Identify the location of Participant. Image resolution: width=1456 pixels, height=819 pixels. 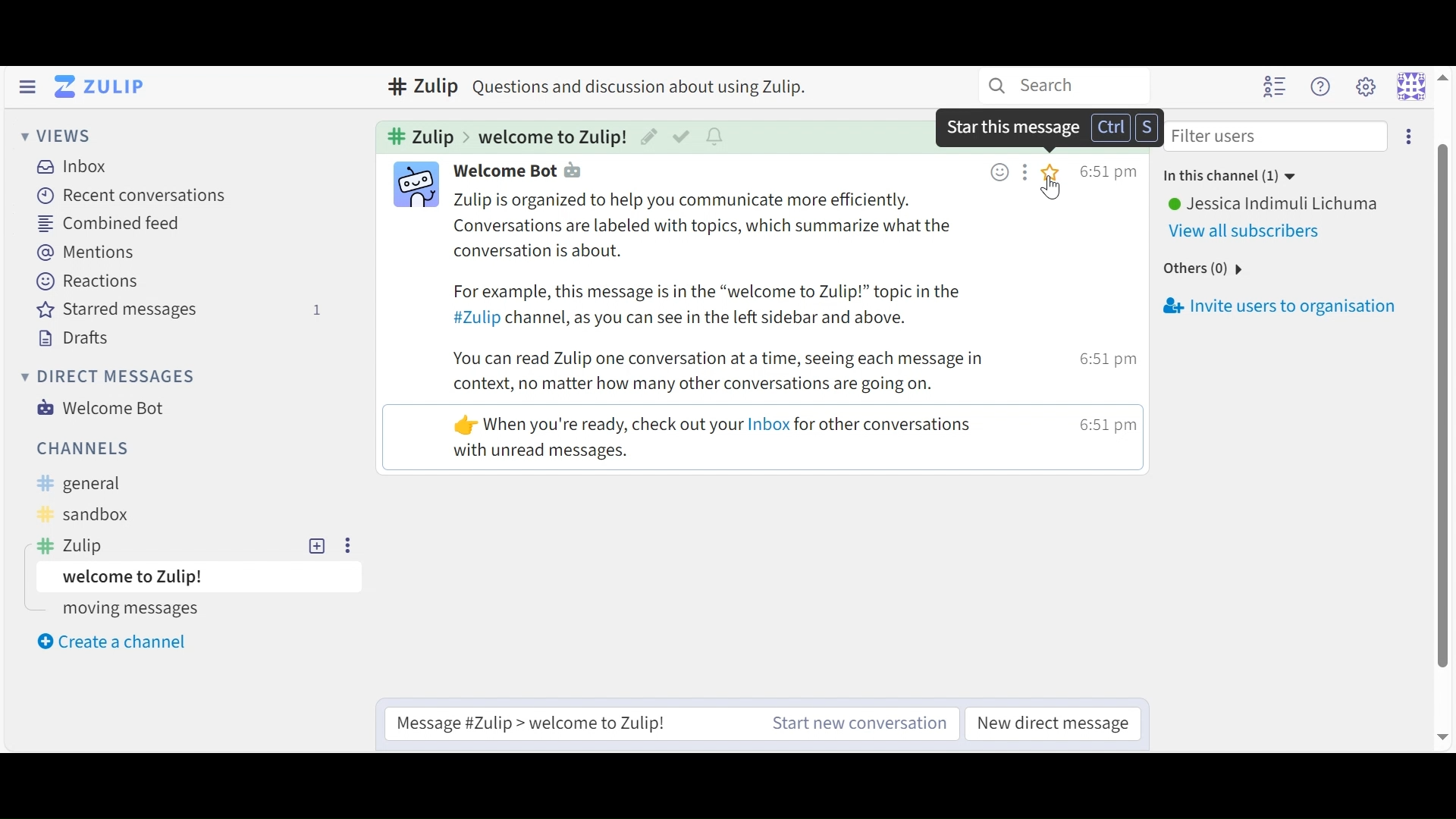
(526, 171).